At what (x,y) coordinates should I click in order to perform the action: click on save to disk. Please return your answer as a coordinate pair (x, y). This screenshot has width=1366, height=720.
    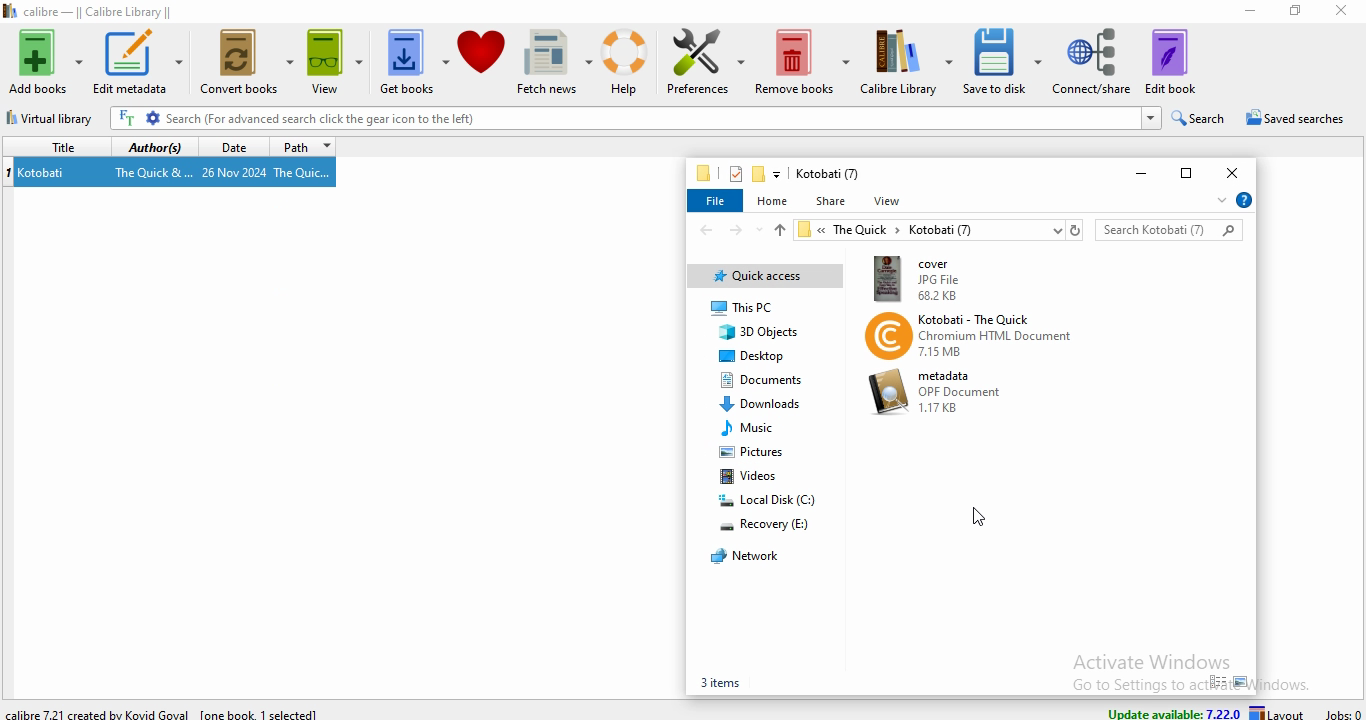
    Looking at the image, I should click on (1003, 60).